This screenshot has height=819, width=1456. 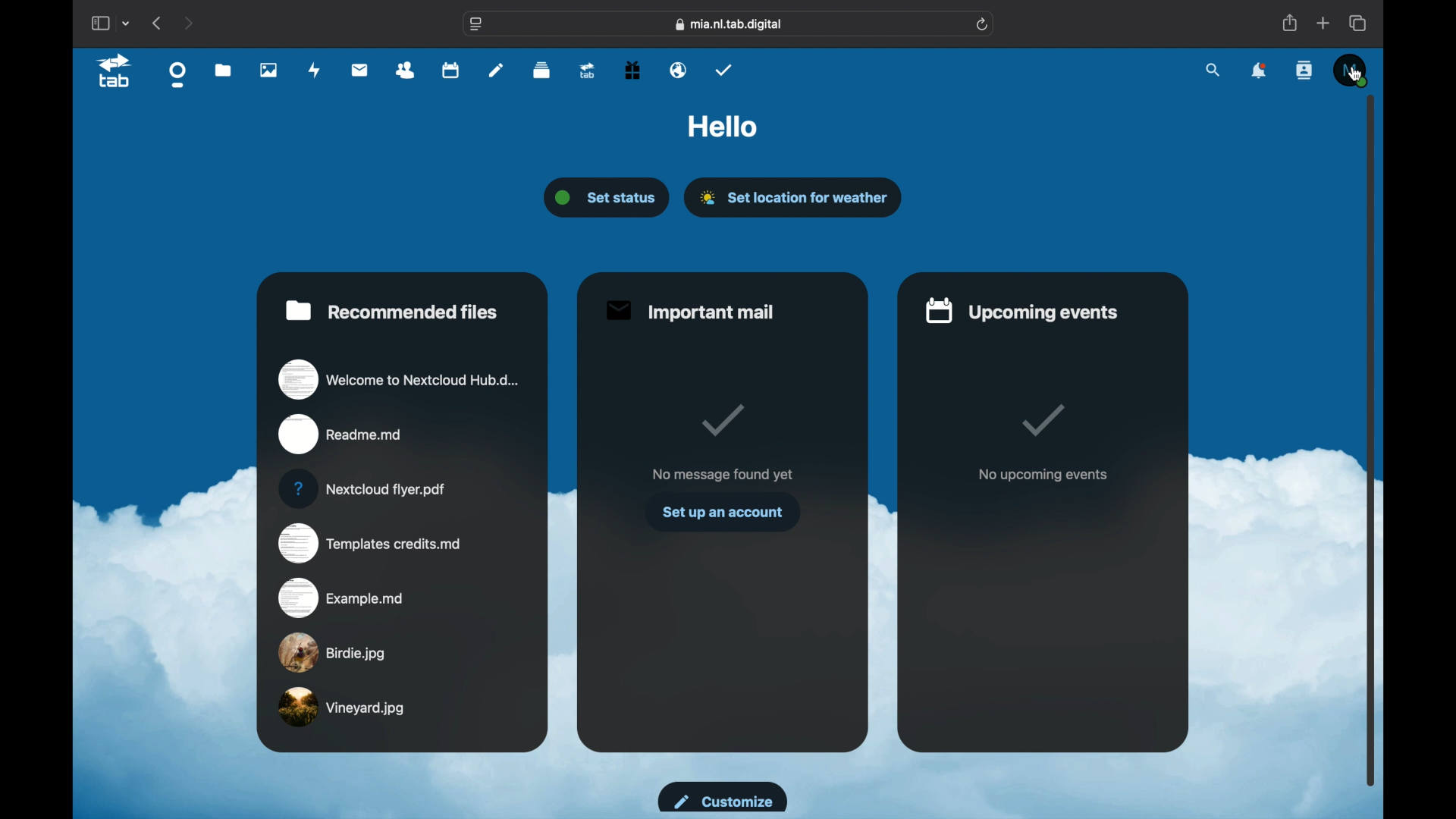 What do you see at coordinates (1350, 68) in the screenshot?
I see `profile` at bounding box center [1350, 68].